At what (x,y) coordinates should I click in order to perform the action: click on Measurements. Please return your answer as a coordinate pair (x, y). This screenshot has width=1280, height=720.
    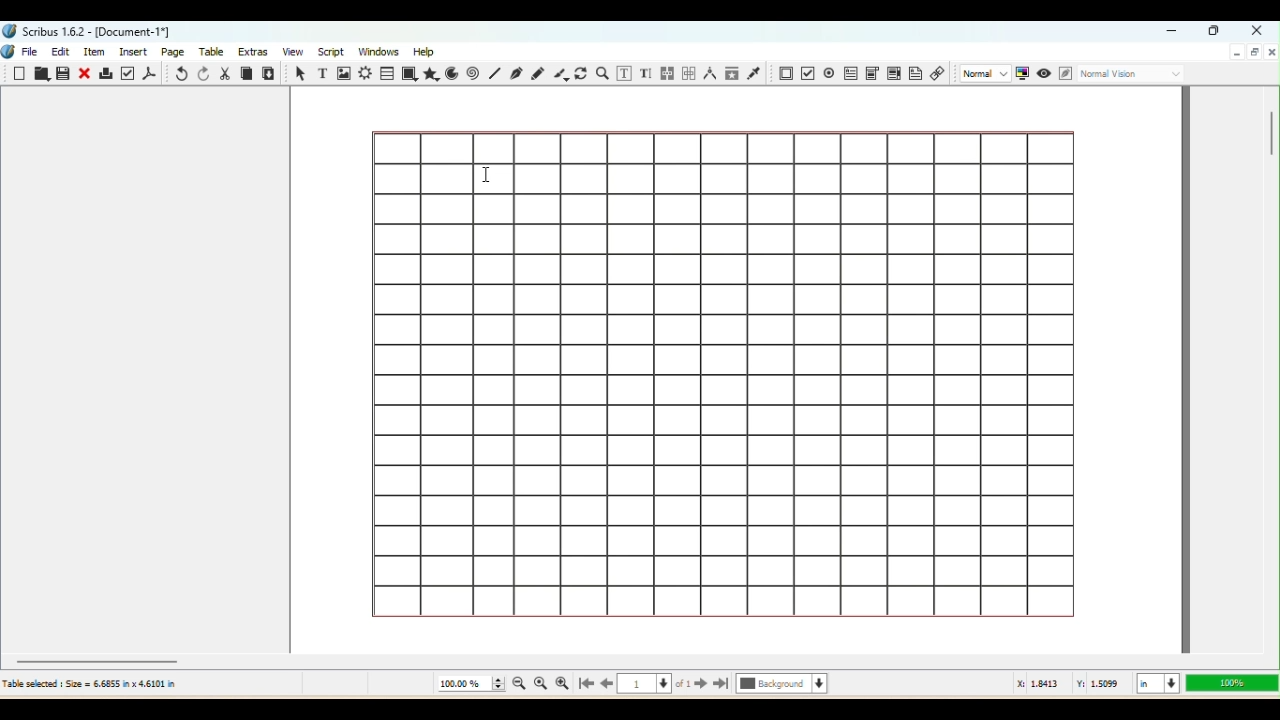
    Looking at the image, I should click on (708, 74).